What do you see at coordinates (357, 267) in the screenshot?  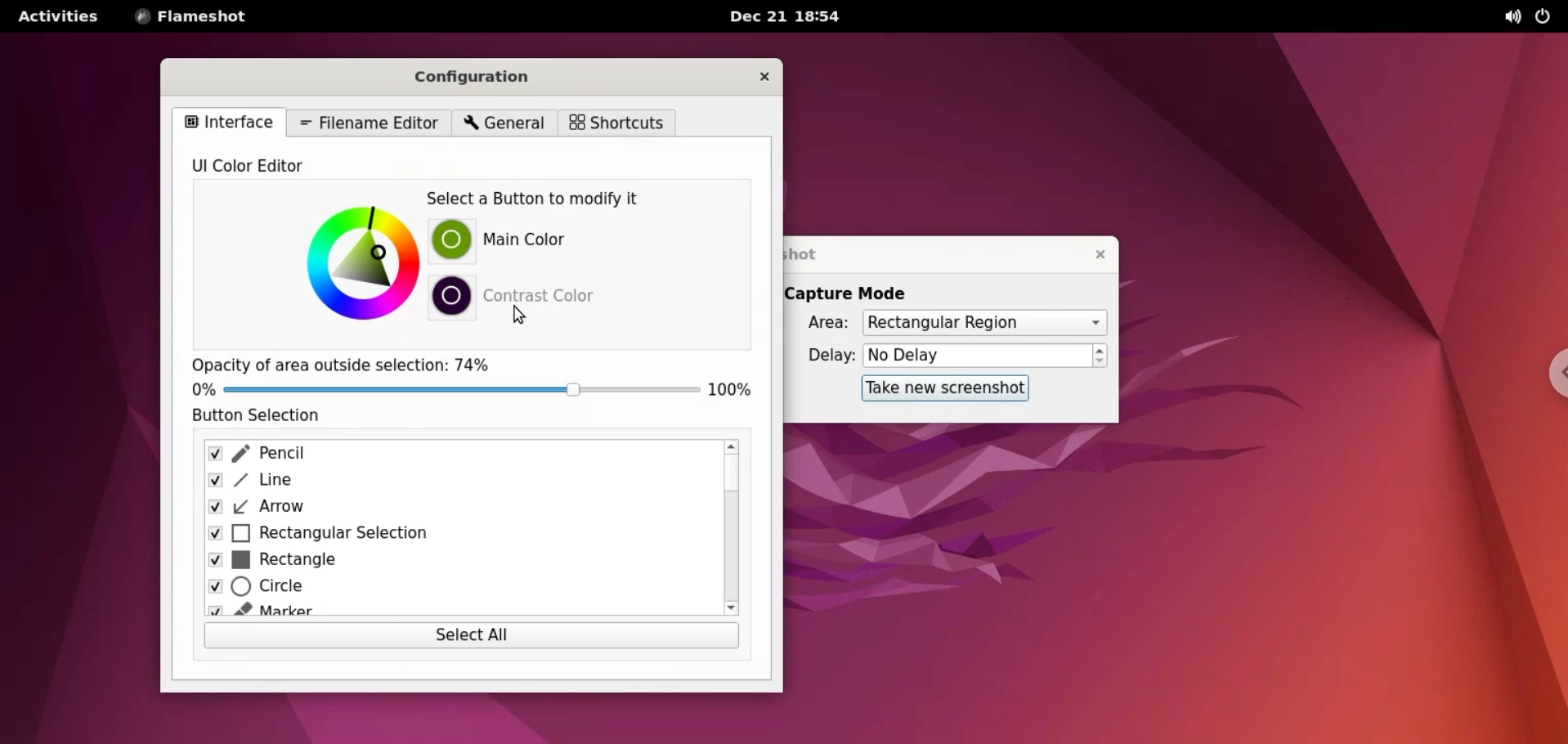 I see `color picker` at bounding box center [357, 267].